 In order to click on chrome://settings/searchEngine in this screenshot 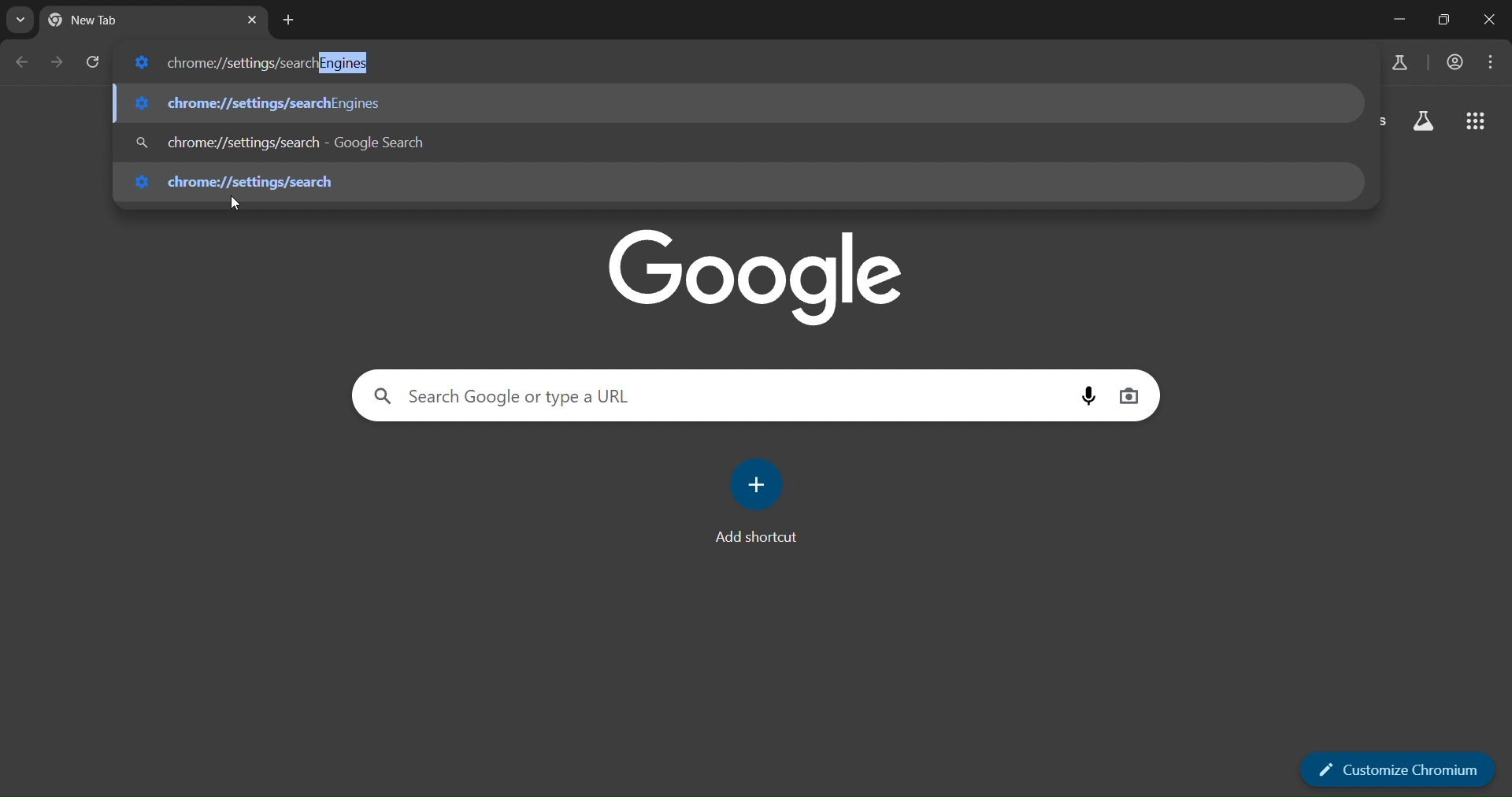, I will do `click(259, 106)`.